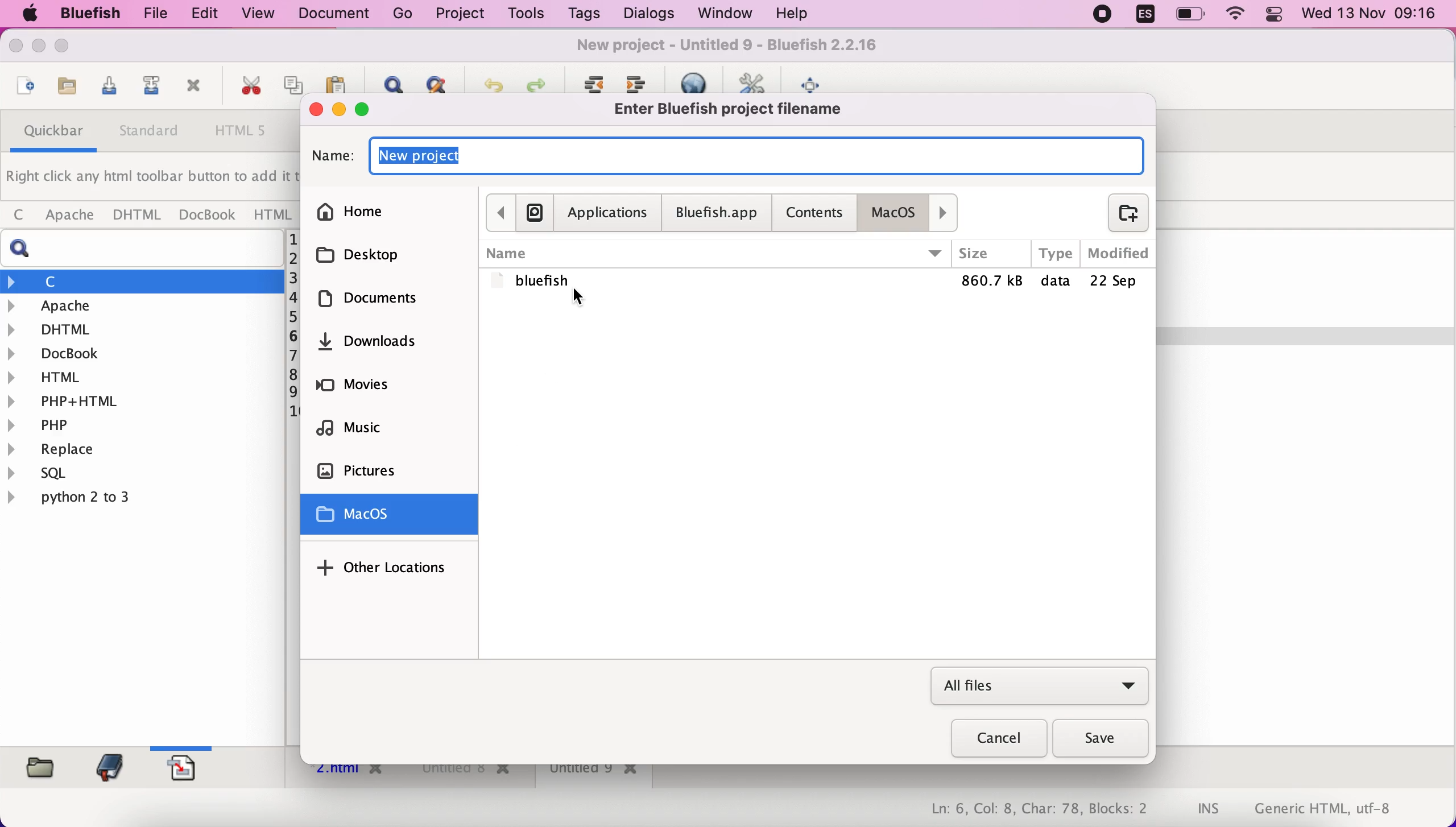 Image resolution: width=1456 pixels, height=827 pixels. What do you see at coordinates (65, 87) in the screenshot?
I see `save file` at bounding box center [65, 87].